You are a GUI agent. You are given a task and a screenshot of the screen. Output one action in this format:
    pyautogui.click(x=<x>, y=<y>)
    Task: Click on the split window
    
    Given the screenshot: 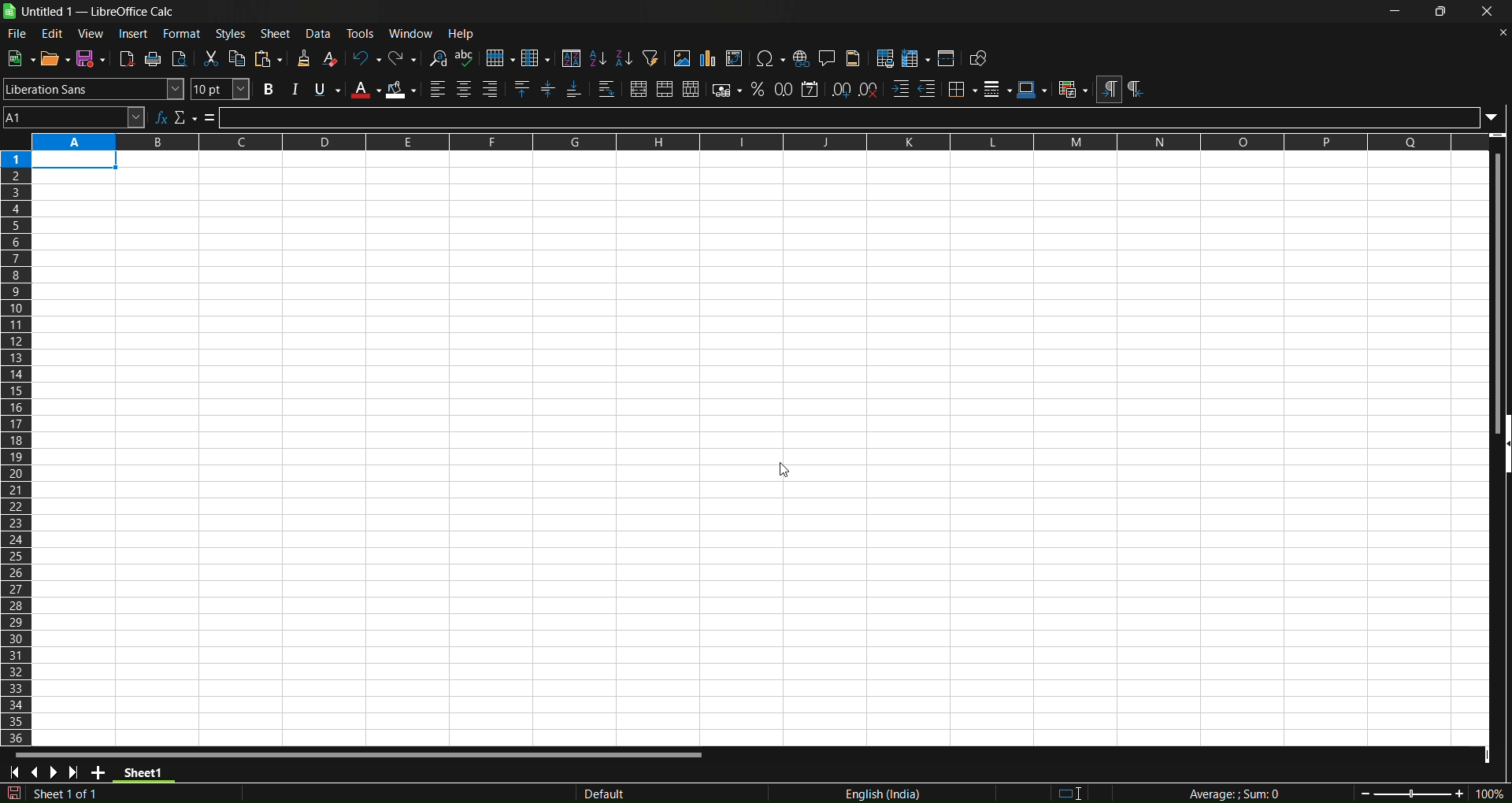 What is the action you would take?
    pyautogui.click(x=948, y=58)
    